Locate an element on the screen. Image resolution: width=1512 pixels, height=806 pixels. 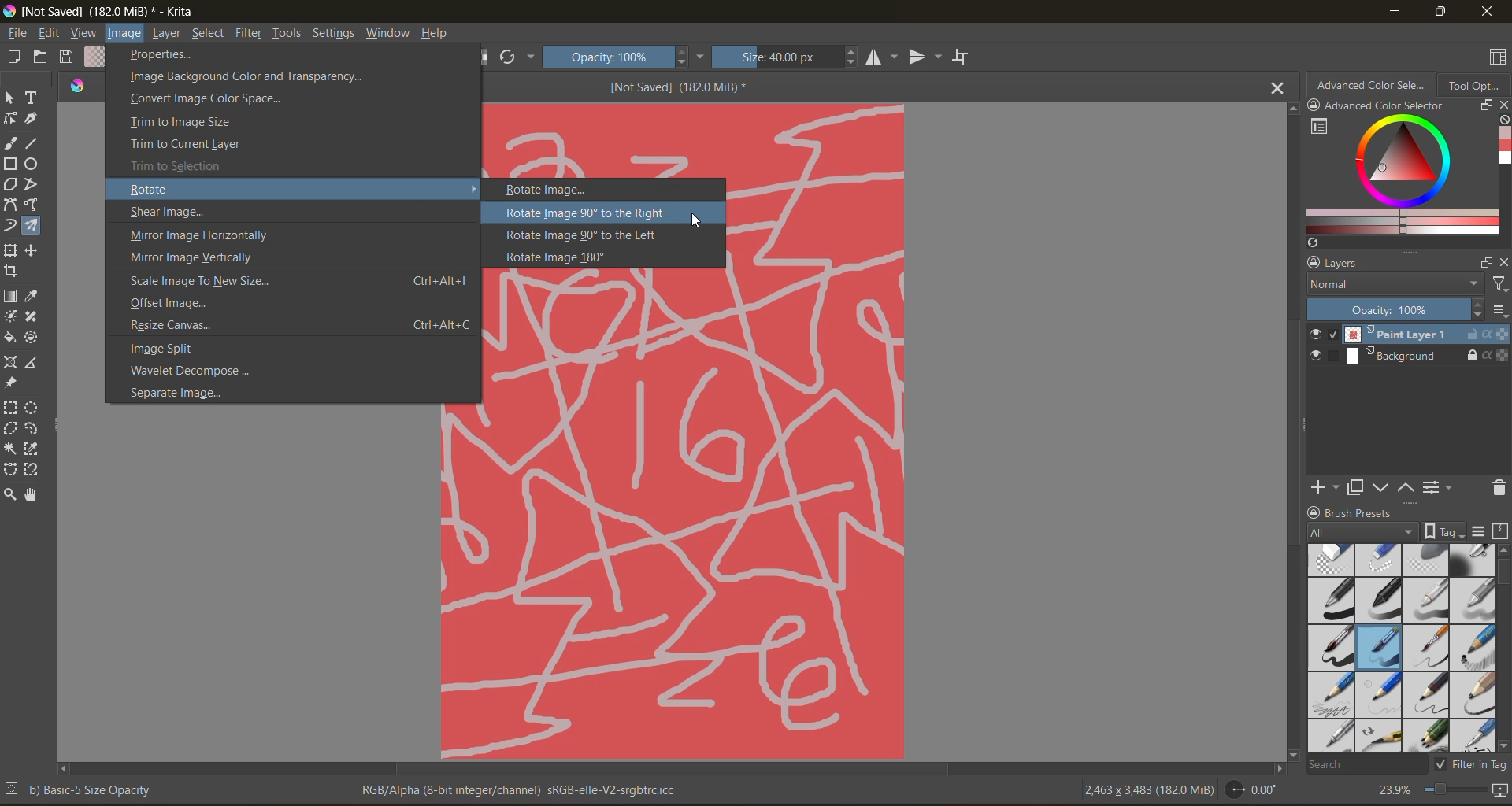
save is located at coordinates (69, 58).